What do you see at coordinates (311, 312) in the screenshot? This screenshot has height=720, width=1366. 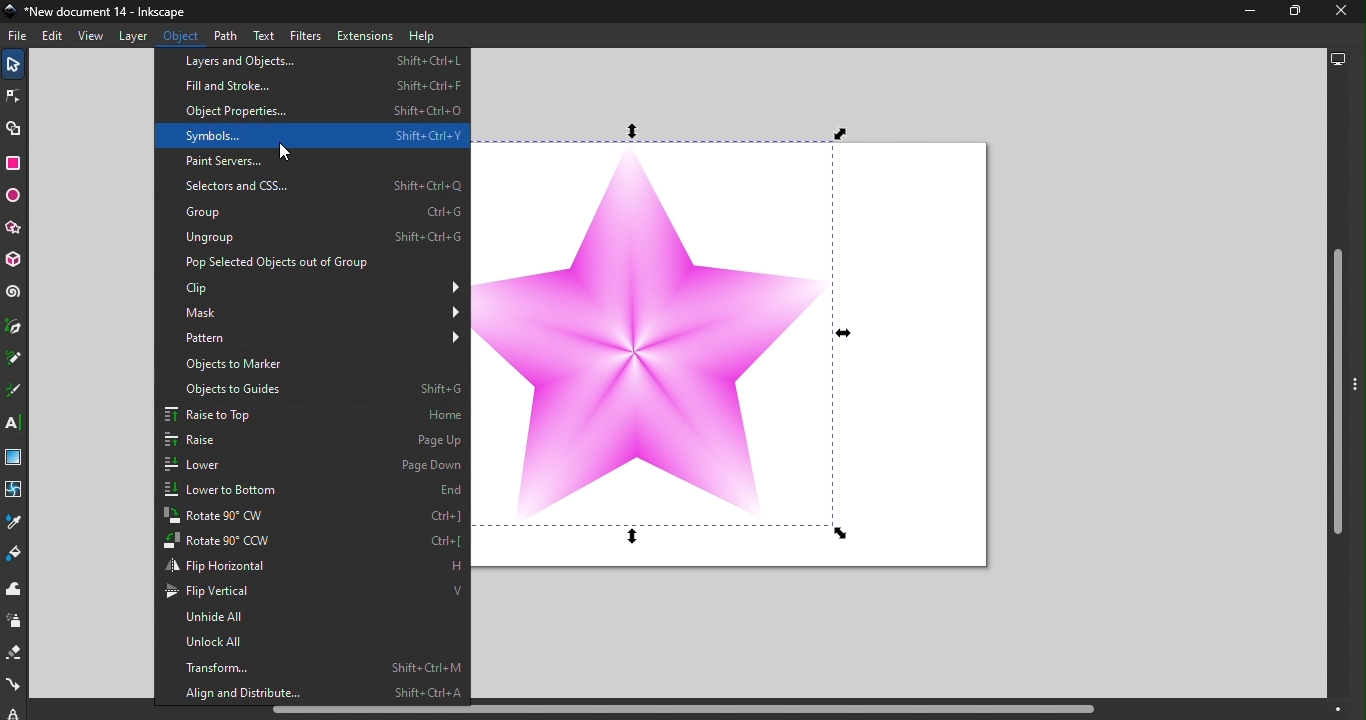 I see `Mask` at bounding box center [311, 312].